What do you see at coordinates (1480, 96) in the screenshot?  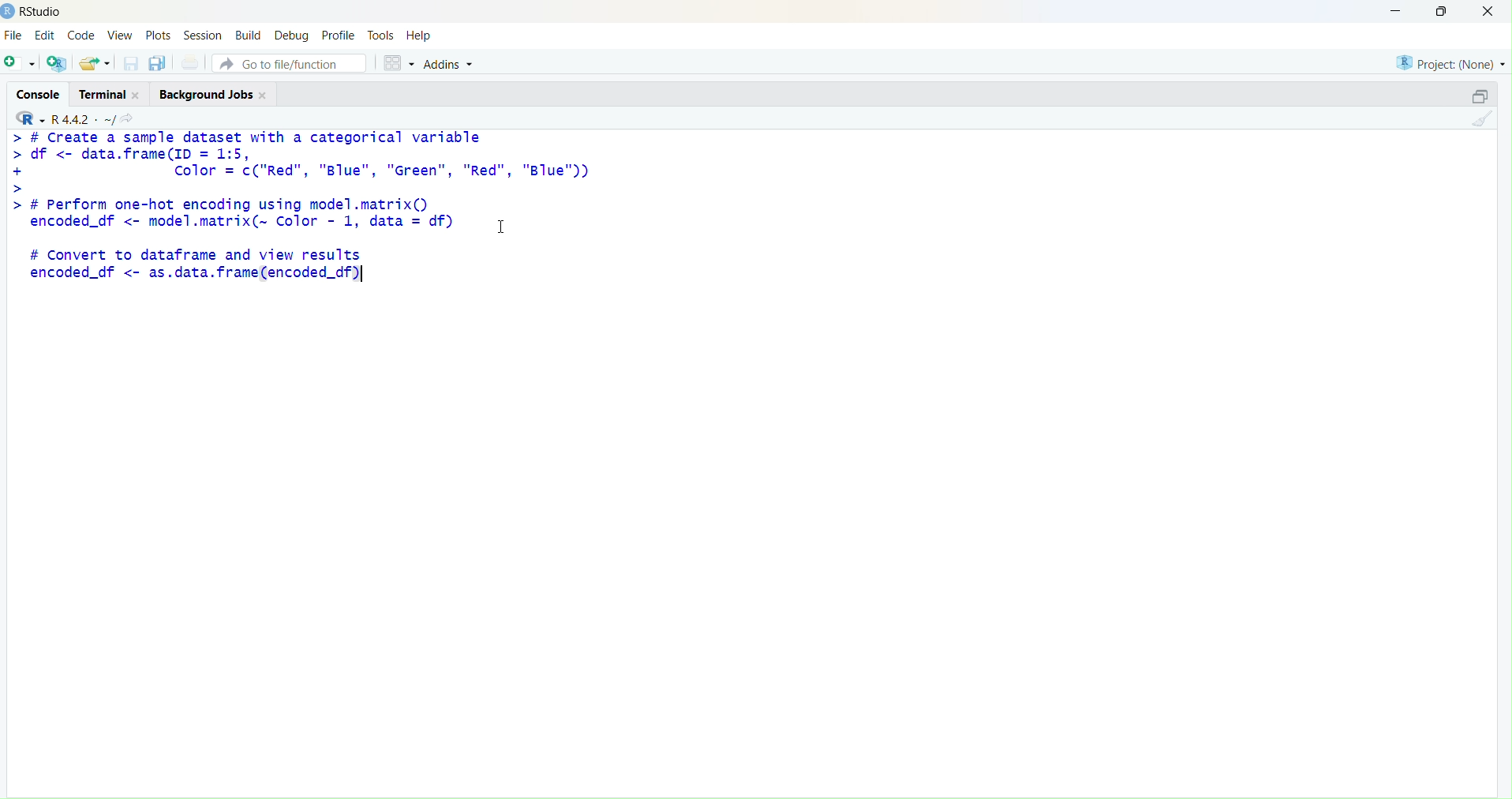 I see `open in separate window ` at bounding box center [1480, 96].